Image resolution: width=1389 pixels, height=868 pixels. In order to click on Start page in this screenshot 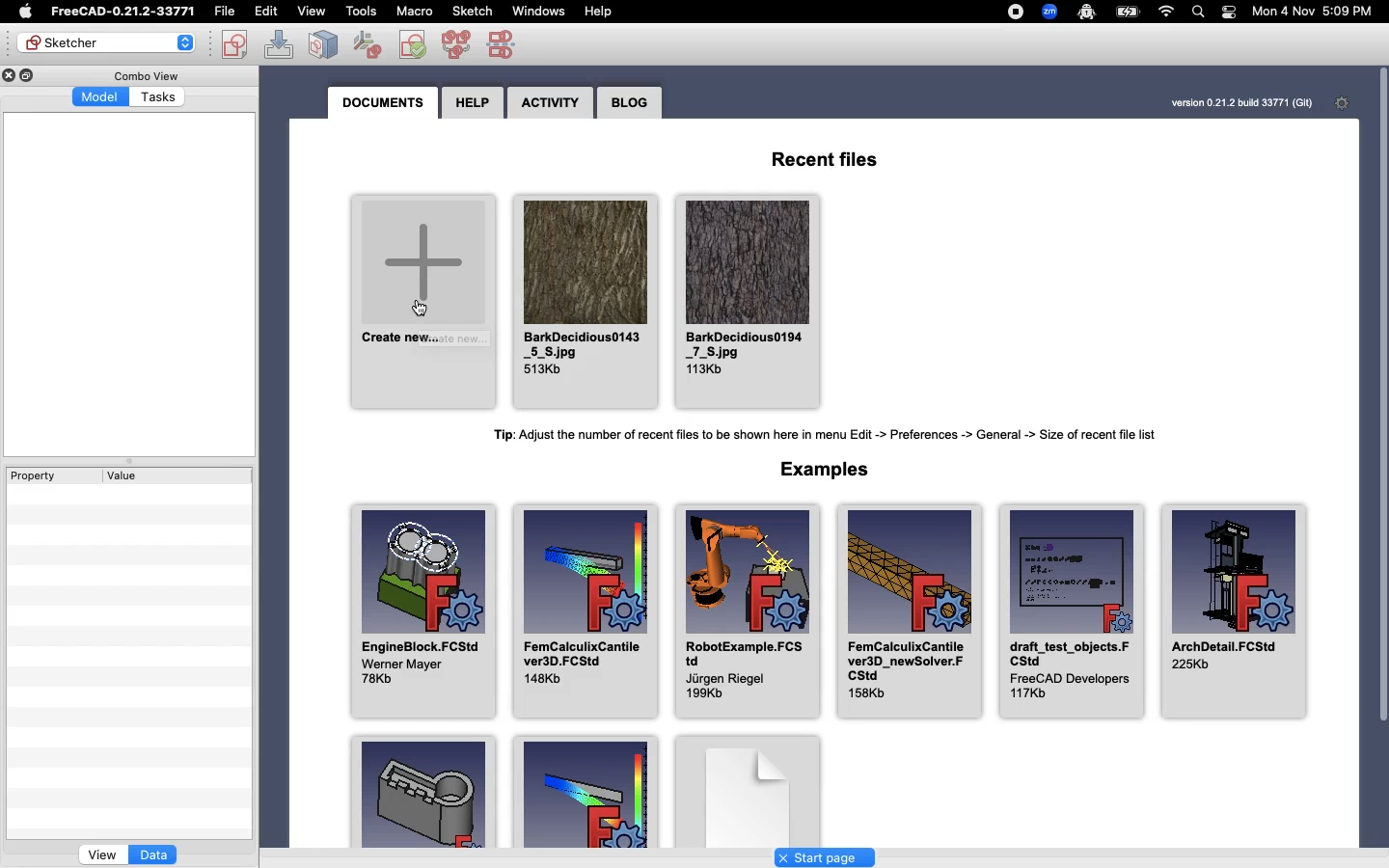, I will do `click(825, 856)`.